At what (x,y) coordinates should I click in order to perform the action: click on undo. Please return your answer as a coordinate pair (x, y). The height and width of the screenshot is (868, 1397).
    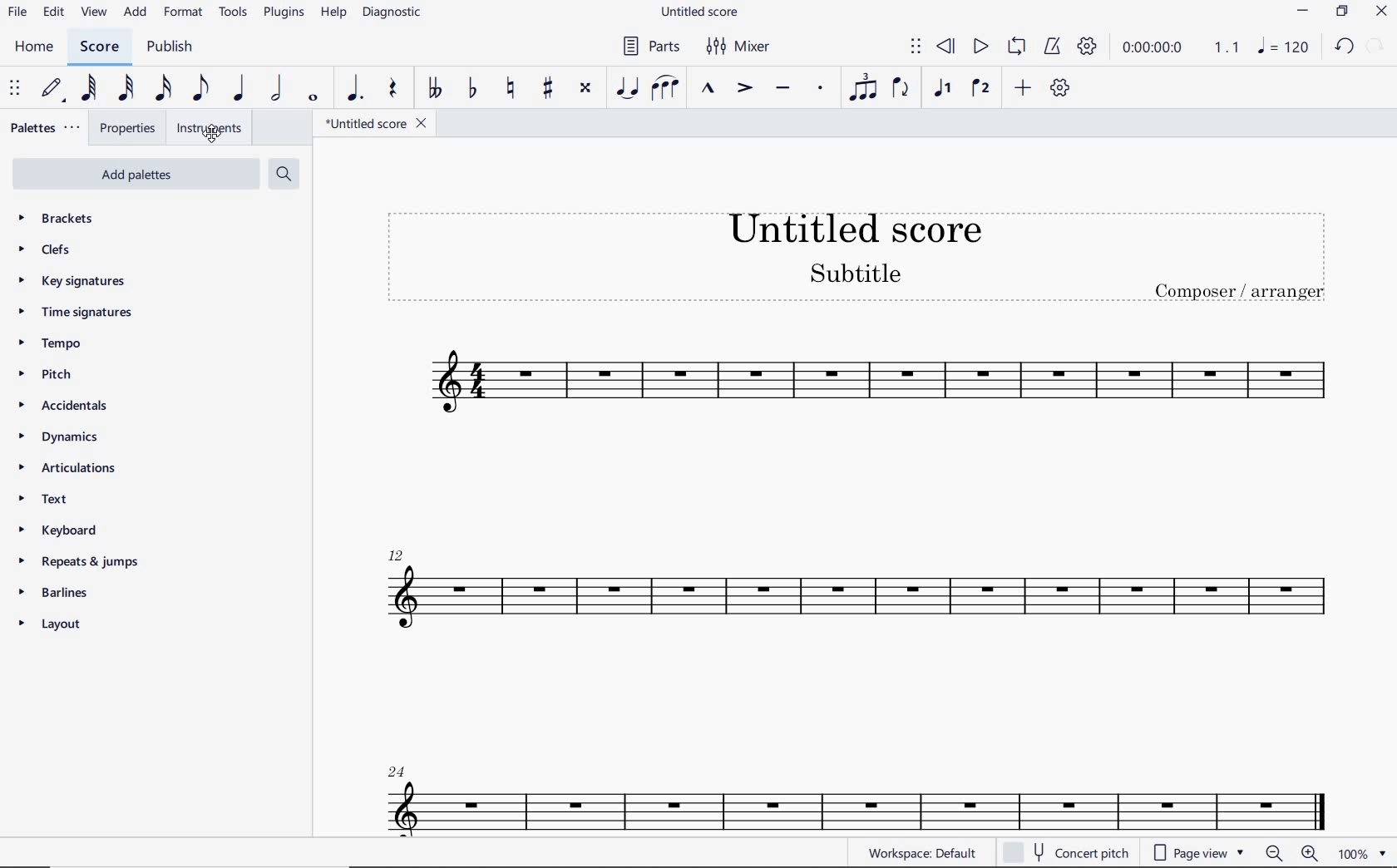
    Looking at the image, I should click on (1345, 47).